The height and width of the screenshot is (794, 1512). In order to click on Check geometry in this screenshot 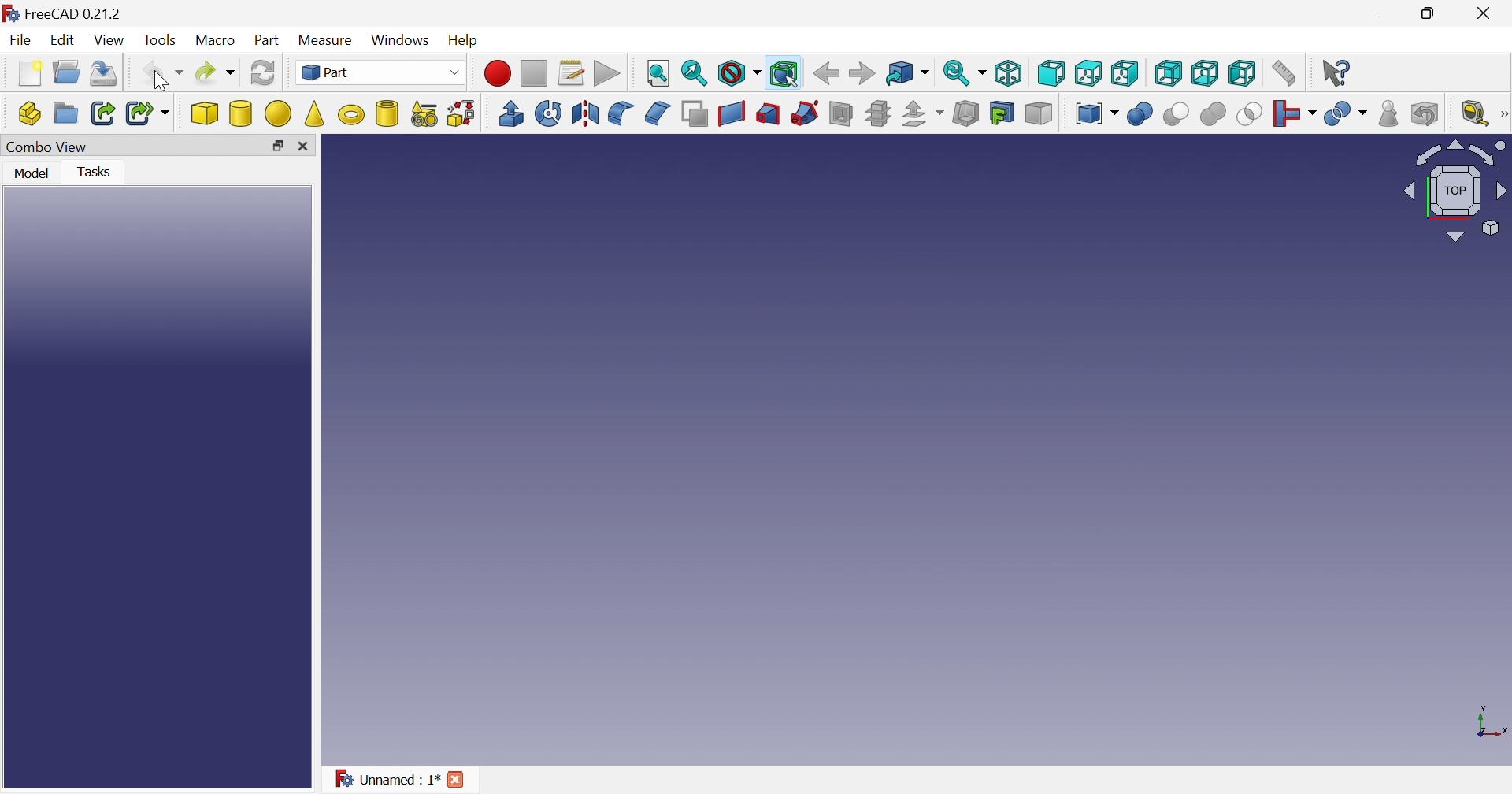, I will do `click(1390, 113)`.